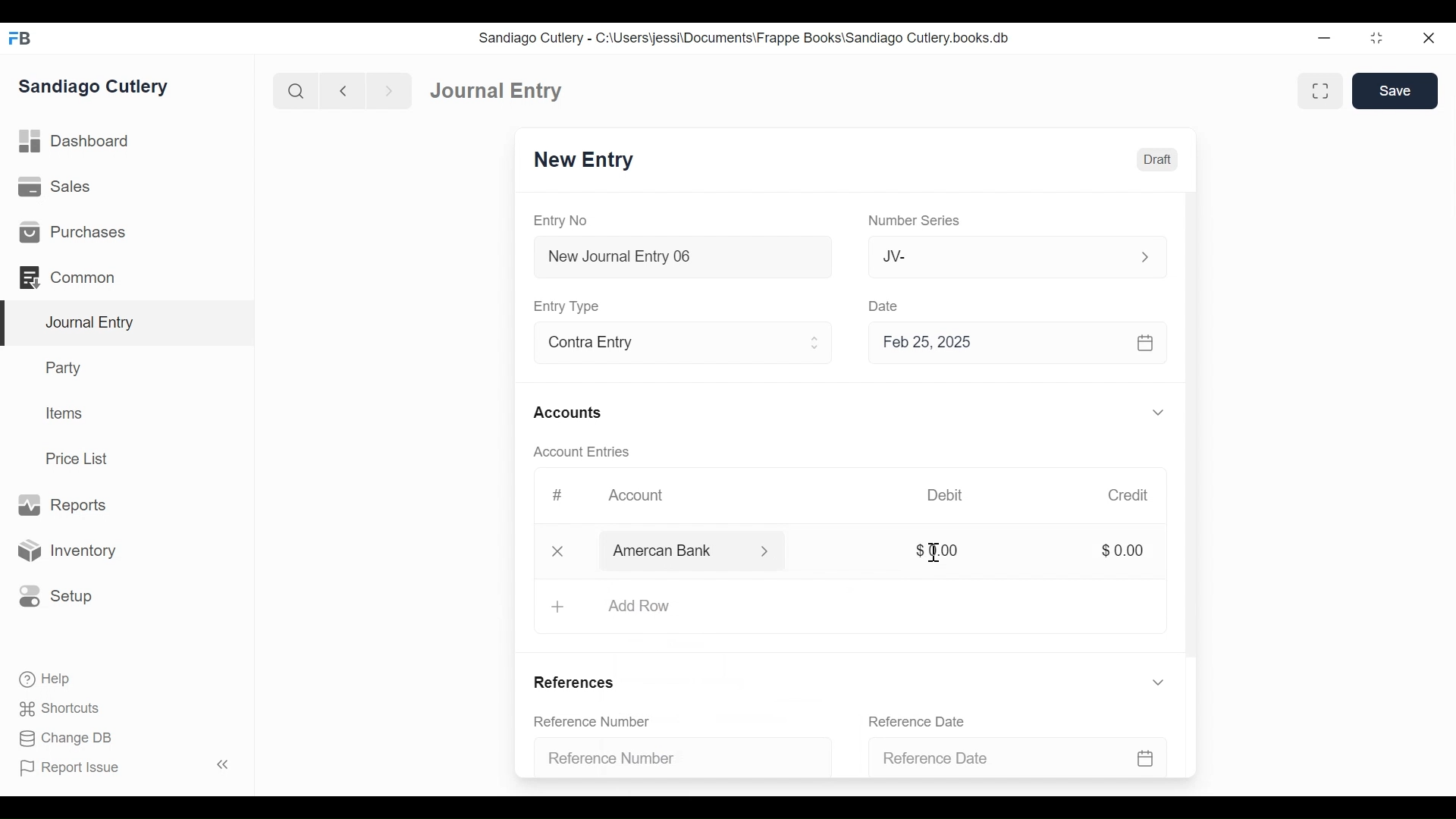 The height and width of the screenshot is (819, 1456). What do you see at coordinates (1122, 549) in the screenshot?
I see `$0.00` at bounding box center [1122, 549].